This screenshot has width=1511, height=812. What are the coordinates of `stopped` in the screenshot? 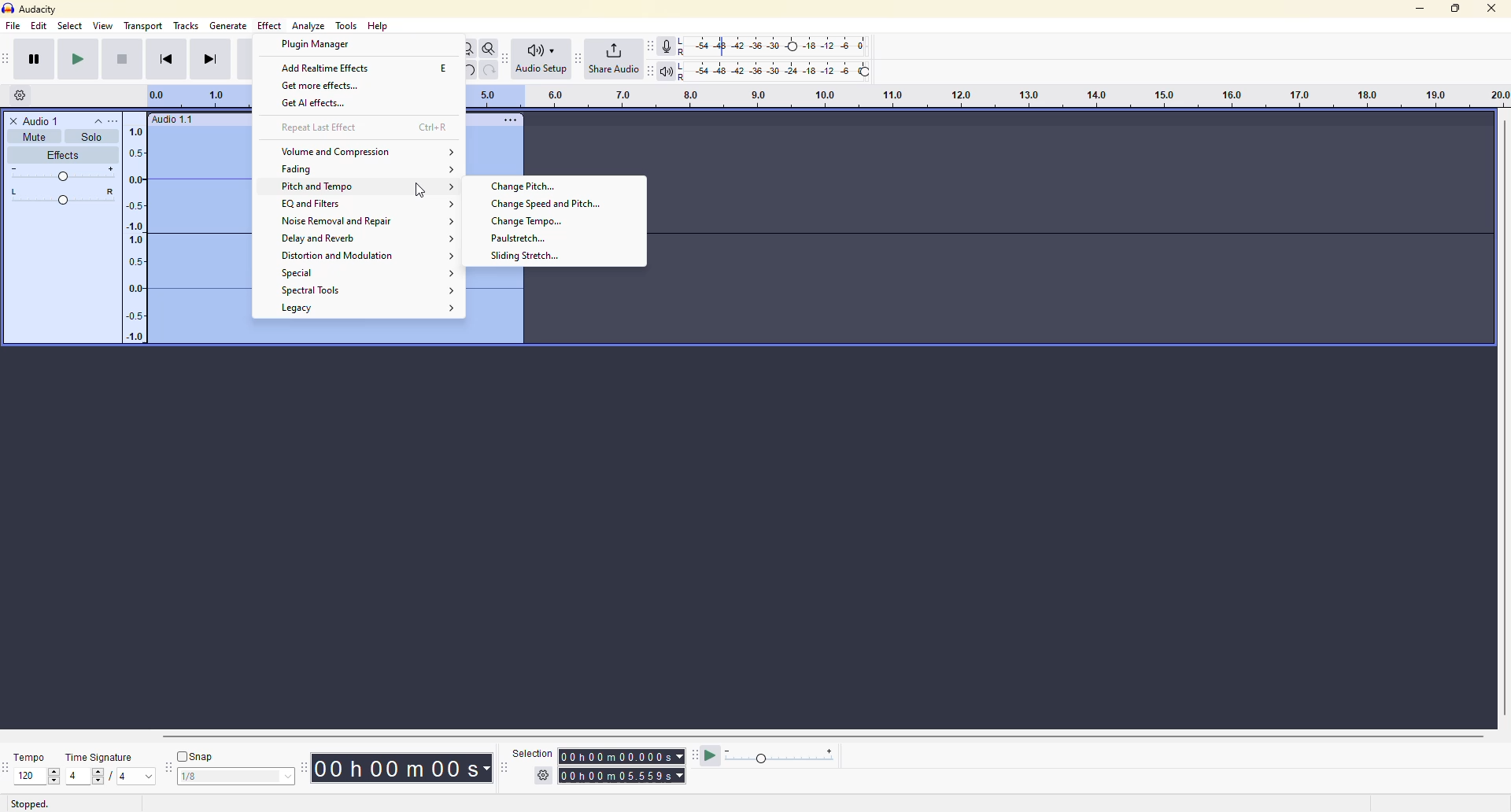 It's located at (29, 803).